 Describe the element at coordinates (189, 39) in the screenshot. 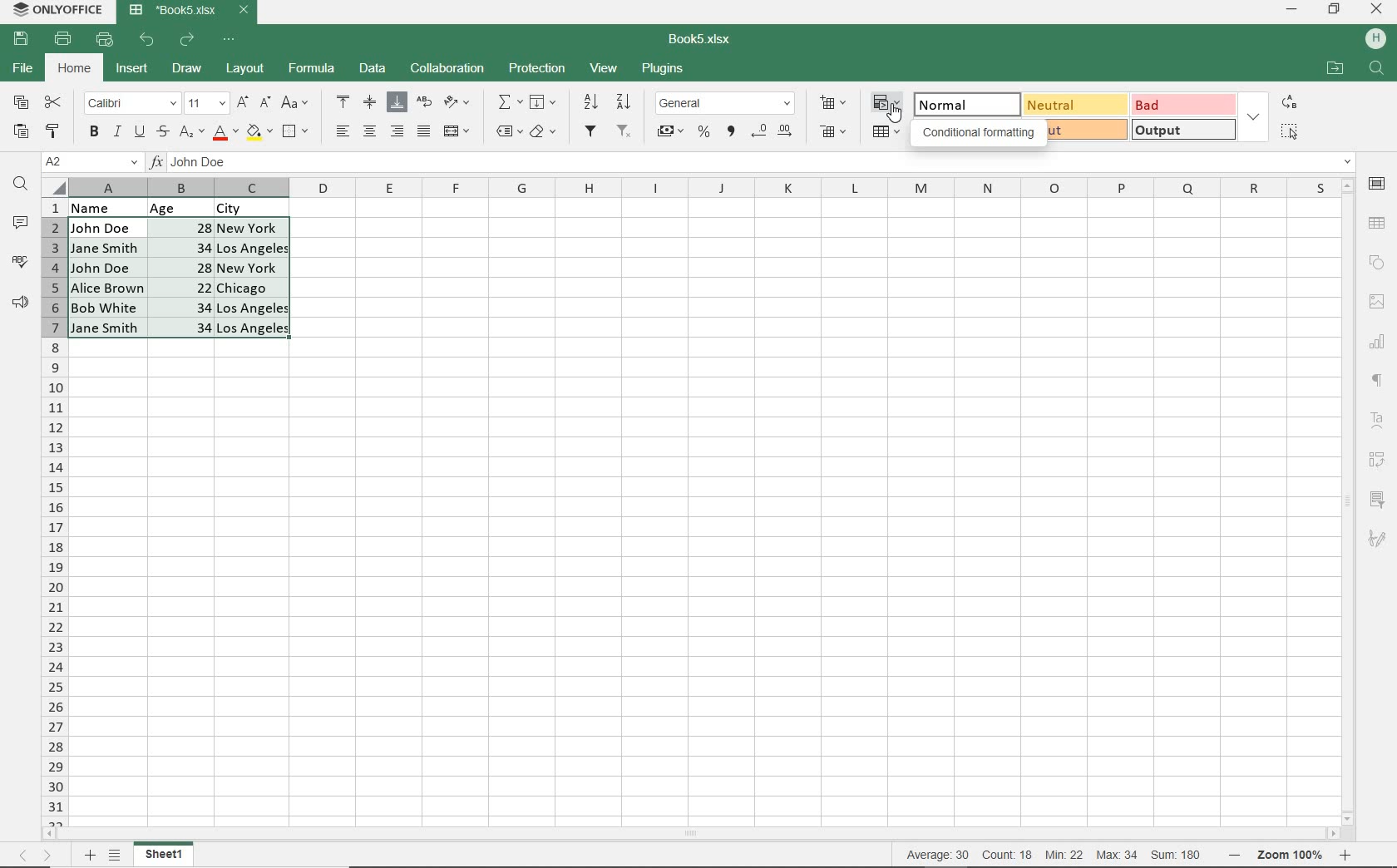

I see `REDO` at that location.